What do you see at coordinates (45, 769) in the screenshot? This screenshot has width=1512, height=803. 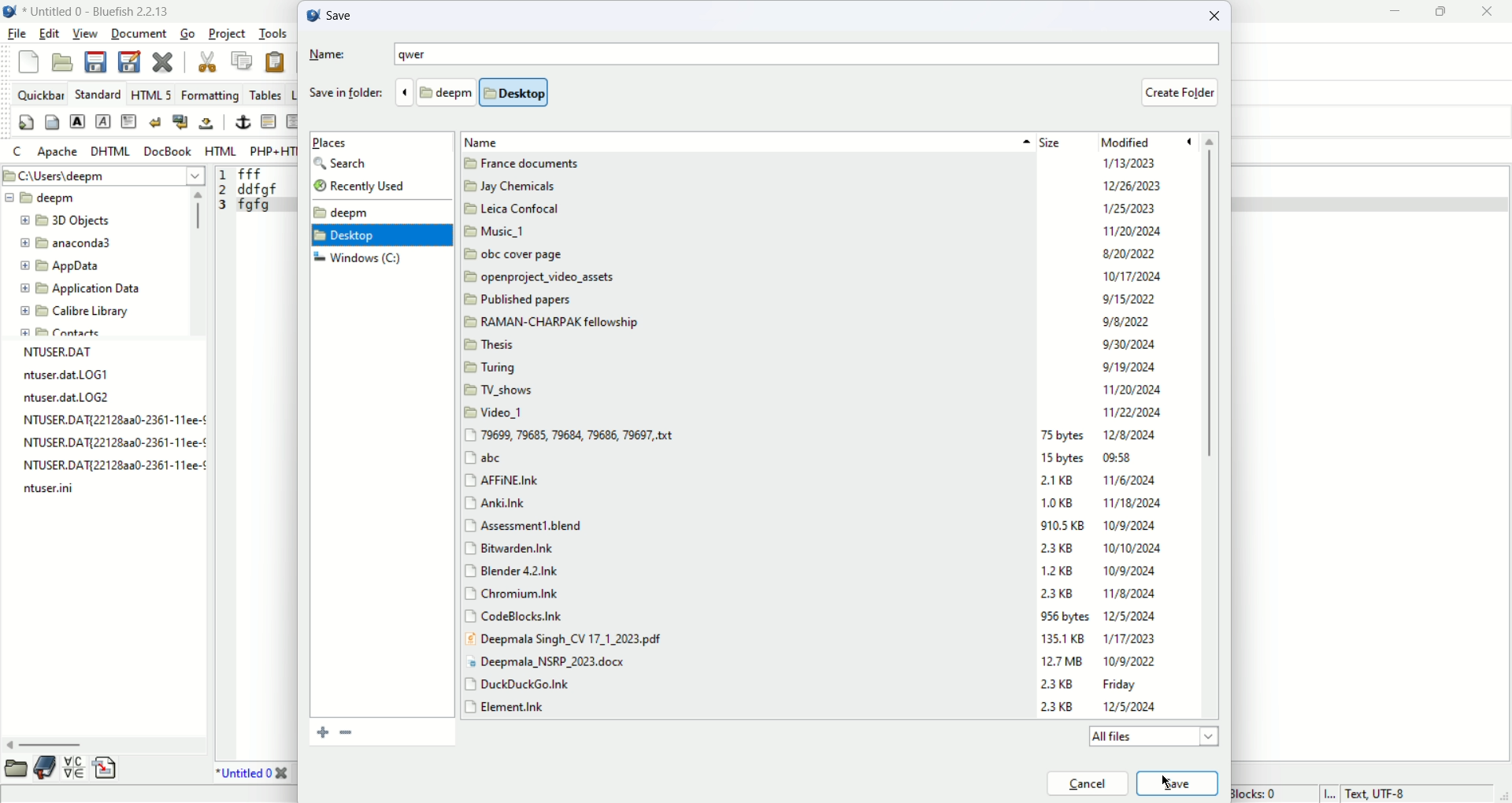 I see `bookmark` at bounding box center [45, 769].